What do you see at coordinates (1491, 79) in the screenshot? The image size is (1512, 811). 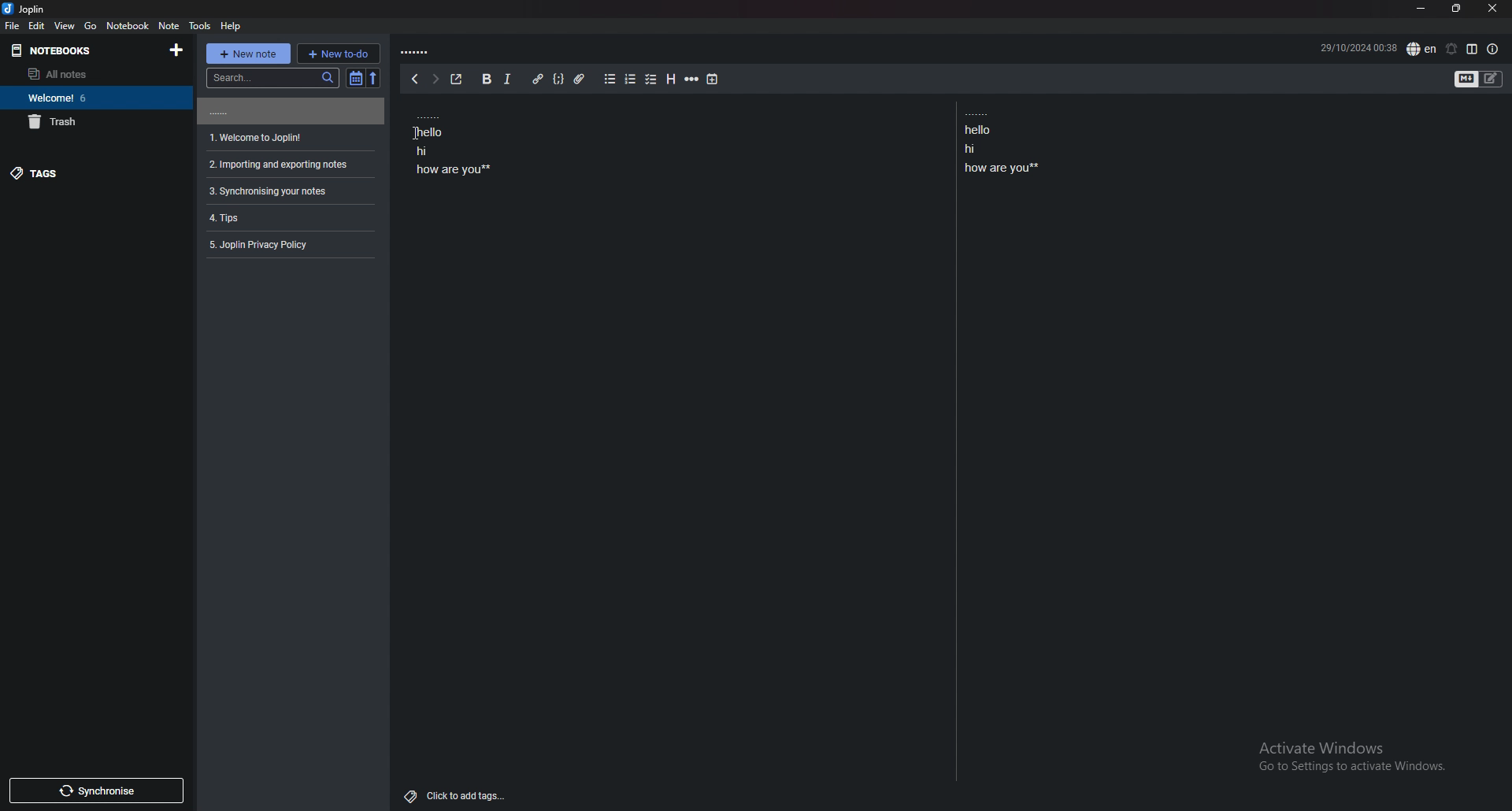 I see `toggle editors` at bounding box center [1491, 79].